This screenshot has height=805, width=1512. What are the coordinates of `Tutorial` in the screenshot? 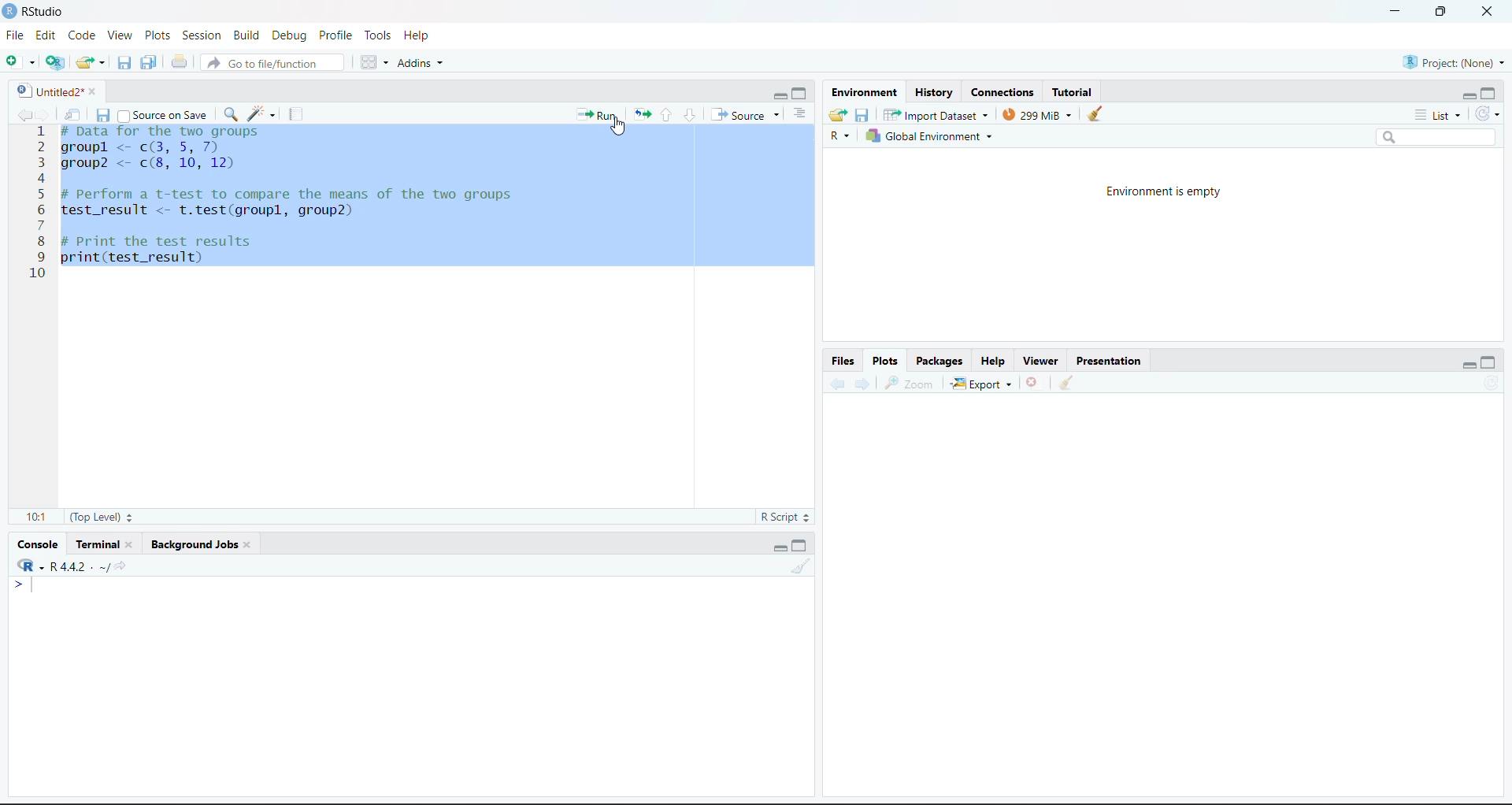 It's located at (1073, 90).